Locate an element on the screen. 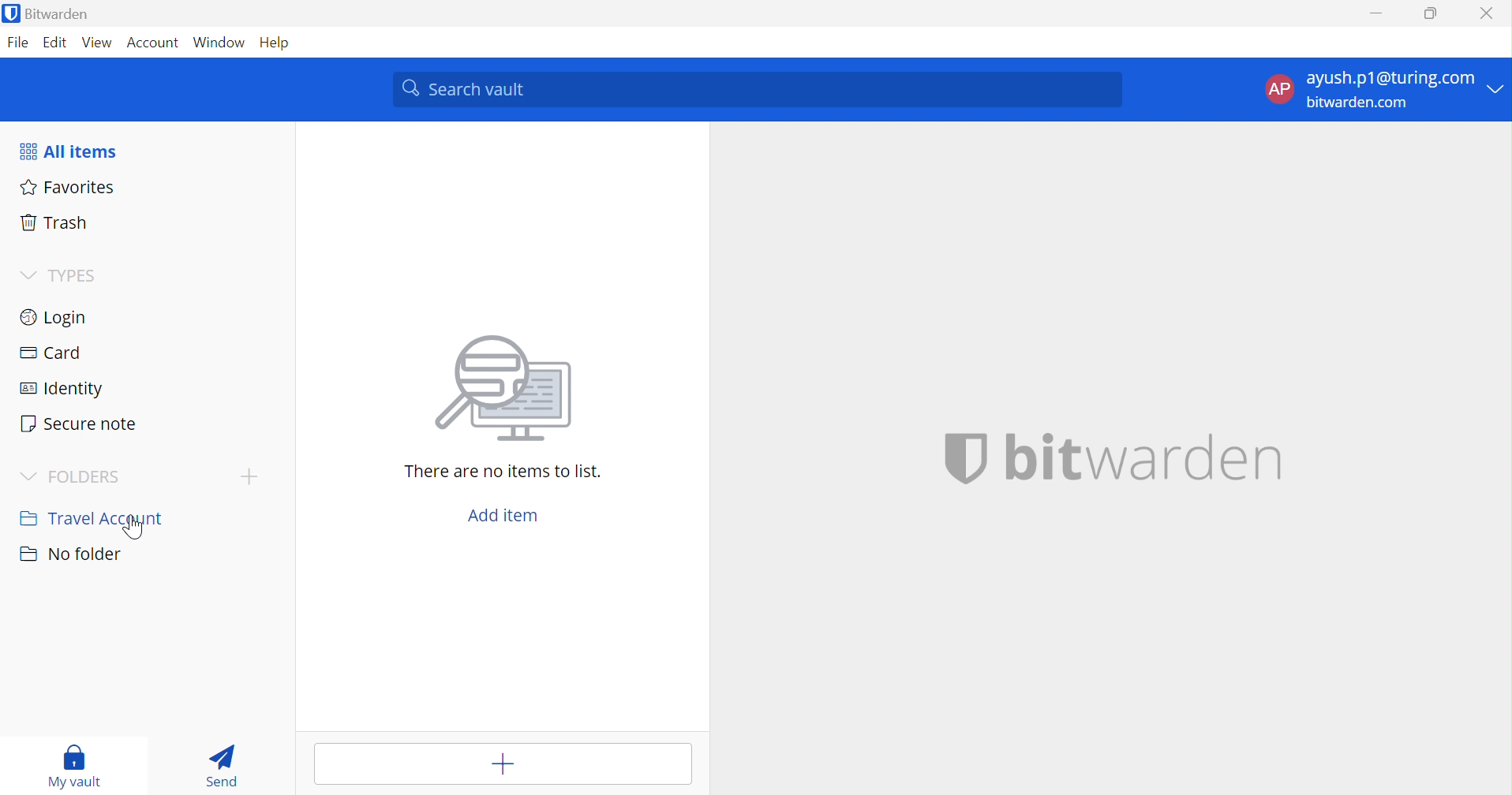 This screenshot has height=795, width=1512. Edit is located at coordinates (56, 44).